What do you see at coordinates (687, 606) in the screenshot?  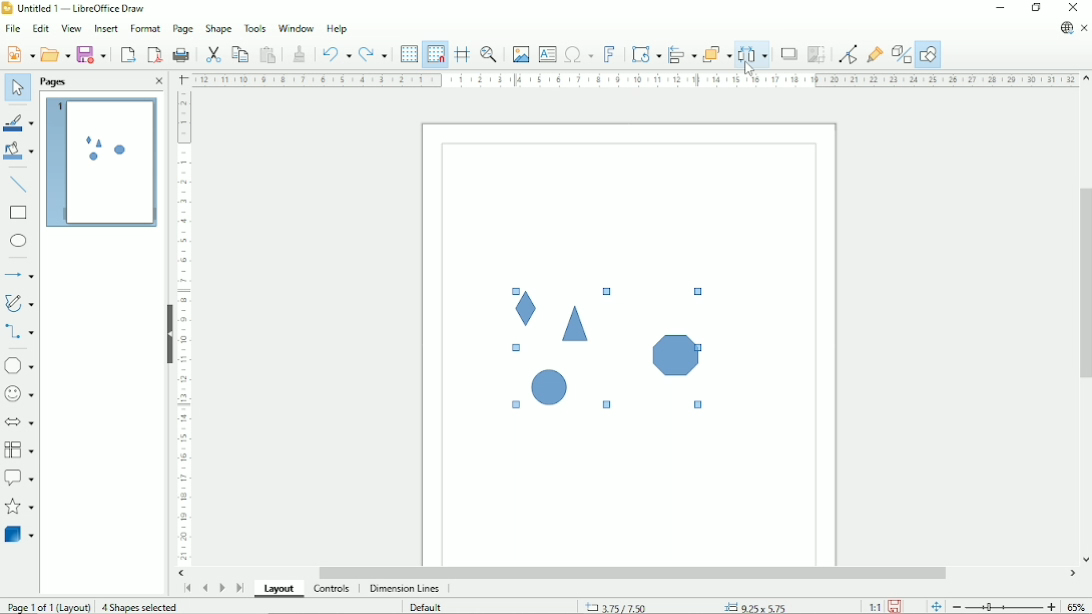 I see `Cursor position` at bounding box center [687, 606].